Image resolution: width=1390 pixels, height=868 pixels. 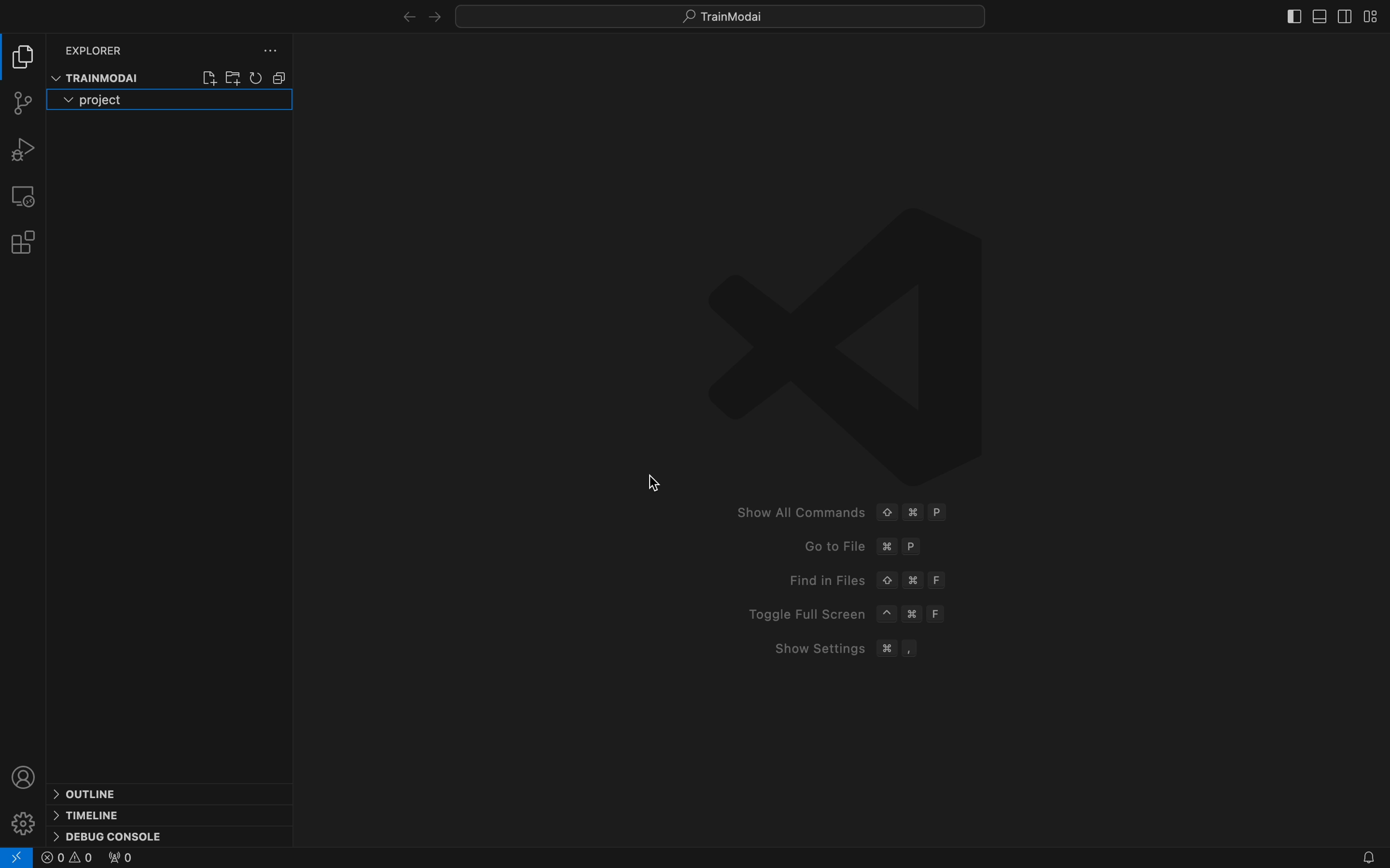 I want to click on timeline, so click(x=91, y=814).